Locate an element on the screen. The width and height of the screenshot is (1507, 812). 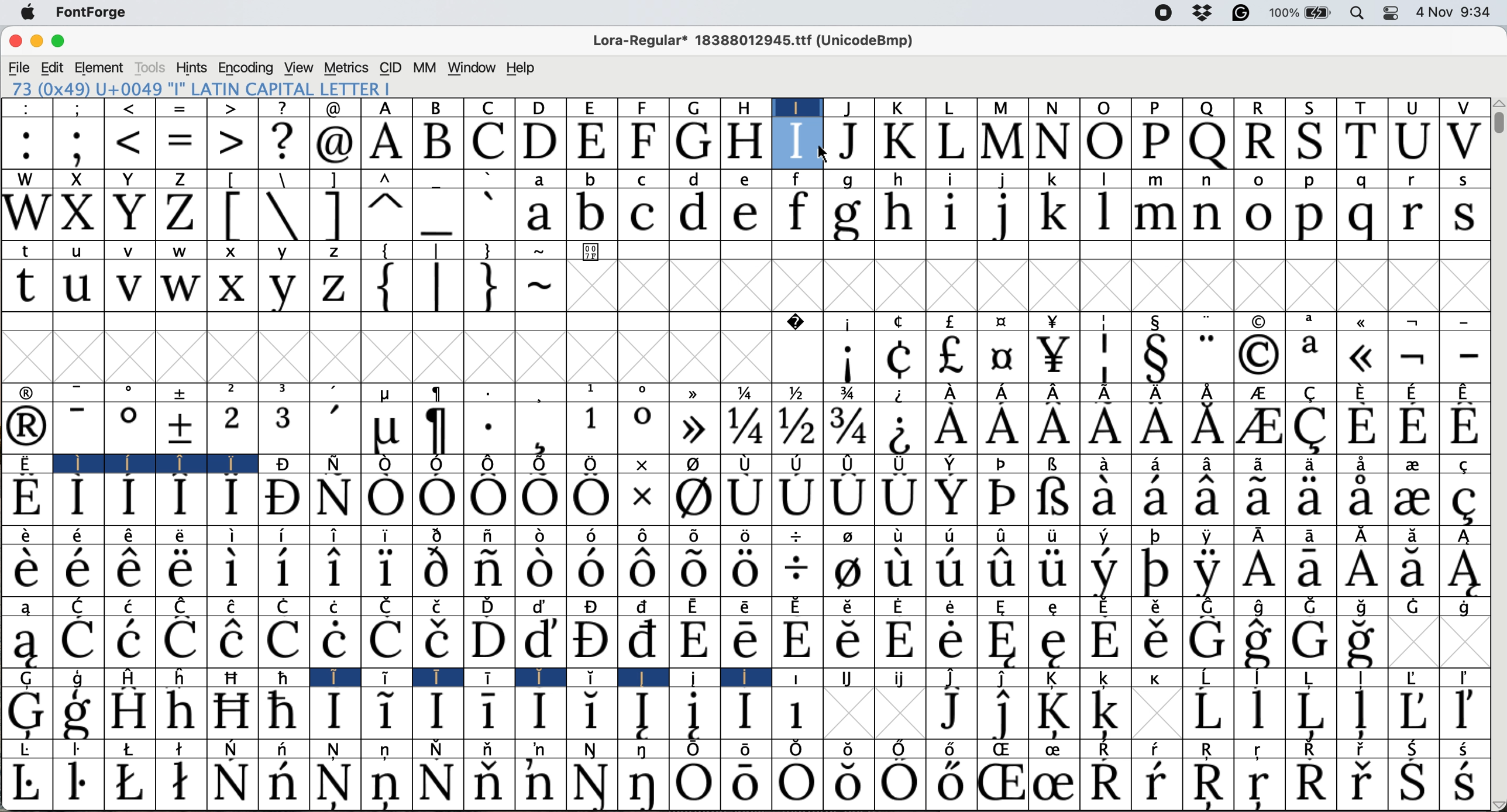
Symbol is located at coordinates (1210, 784).